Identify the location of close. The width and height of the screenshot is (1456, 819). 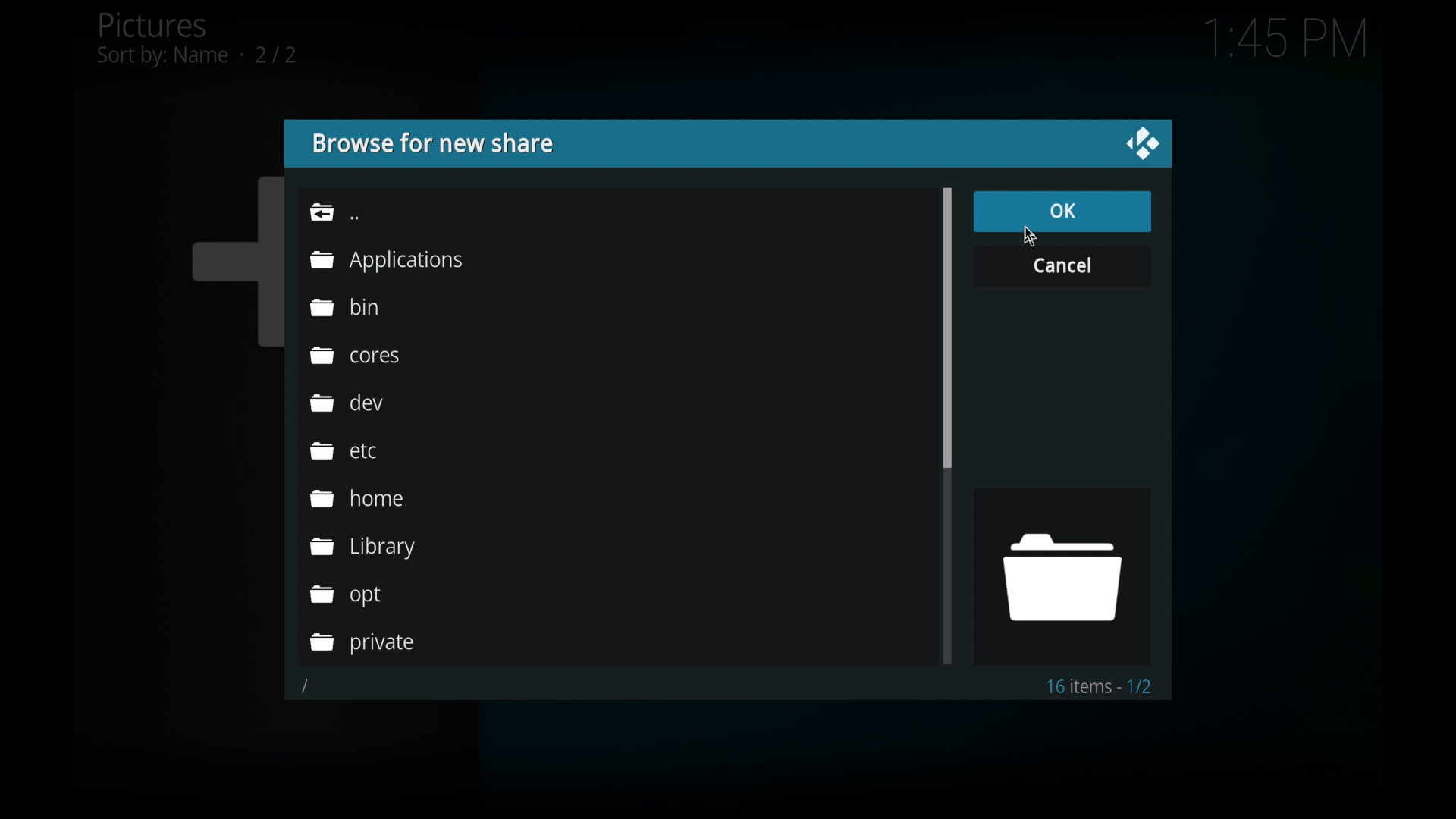
(1142, 143).